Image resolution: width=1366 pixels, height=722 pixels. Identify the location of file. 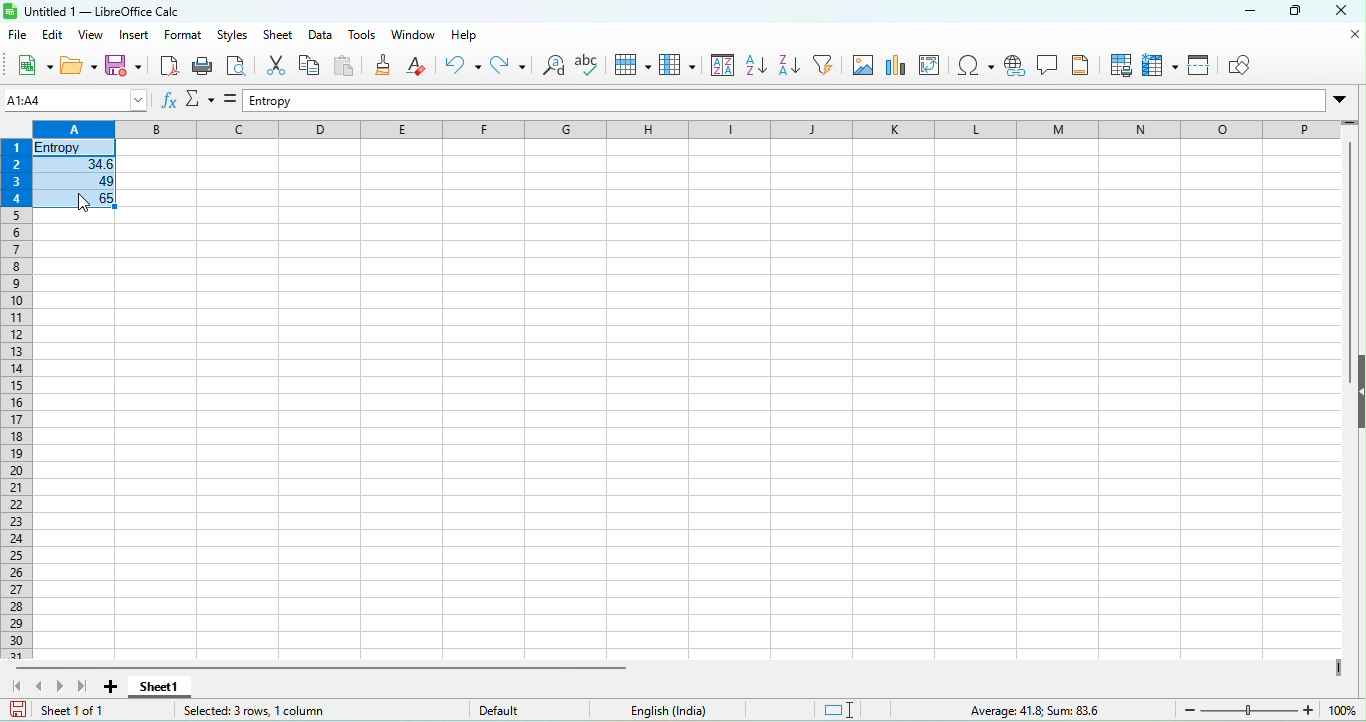
(18, 36).